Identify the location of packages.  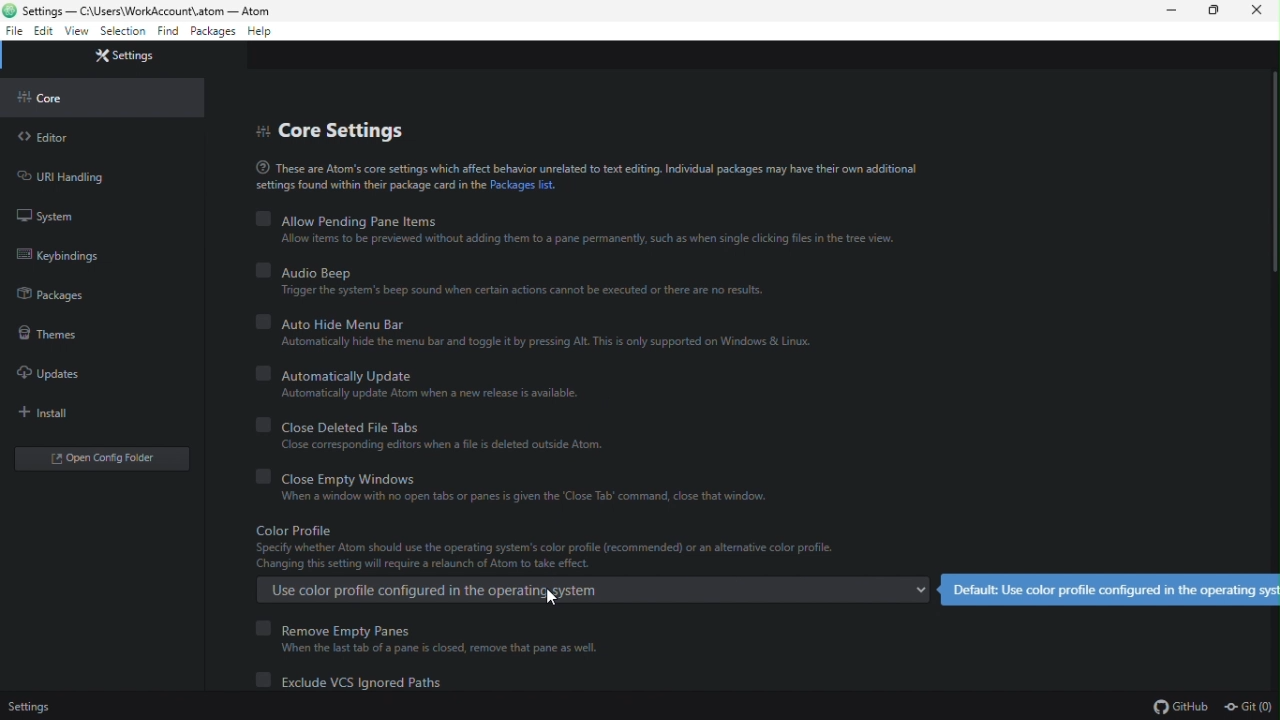
(62, 295).